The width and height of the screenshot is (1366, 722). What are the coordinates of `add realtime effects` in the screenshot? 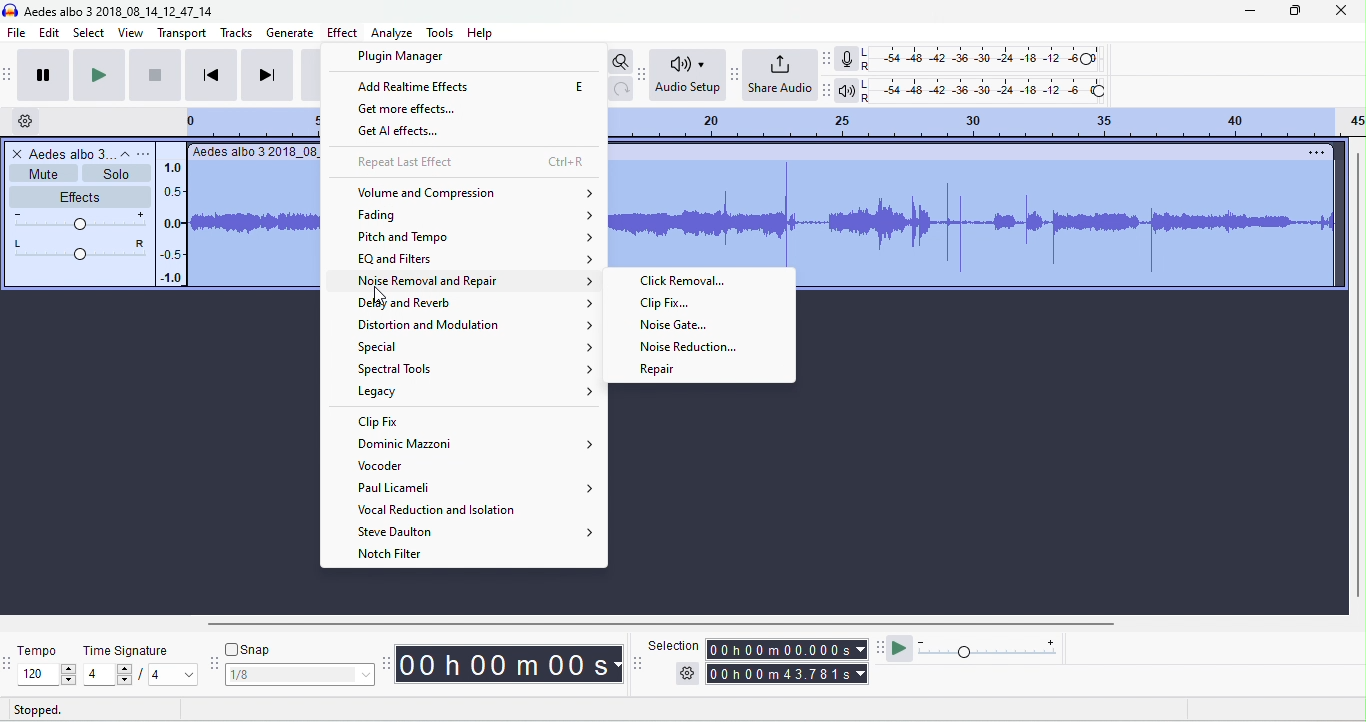 It's located at (471, 87).